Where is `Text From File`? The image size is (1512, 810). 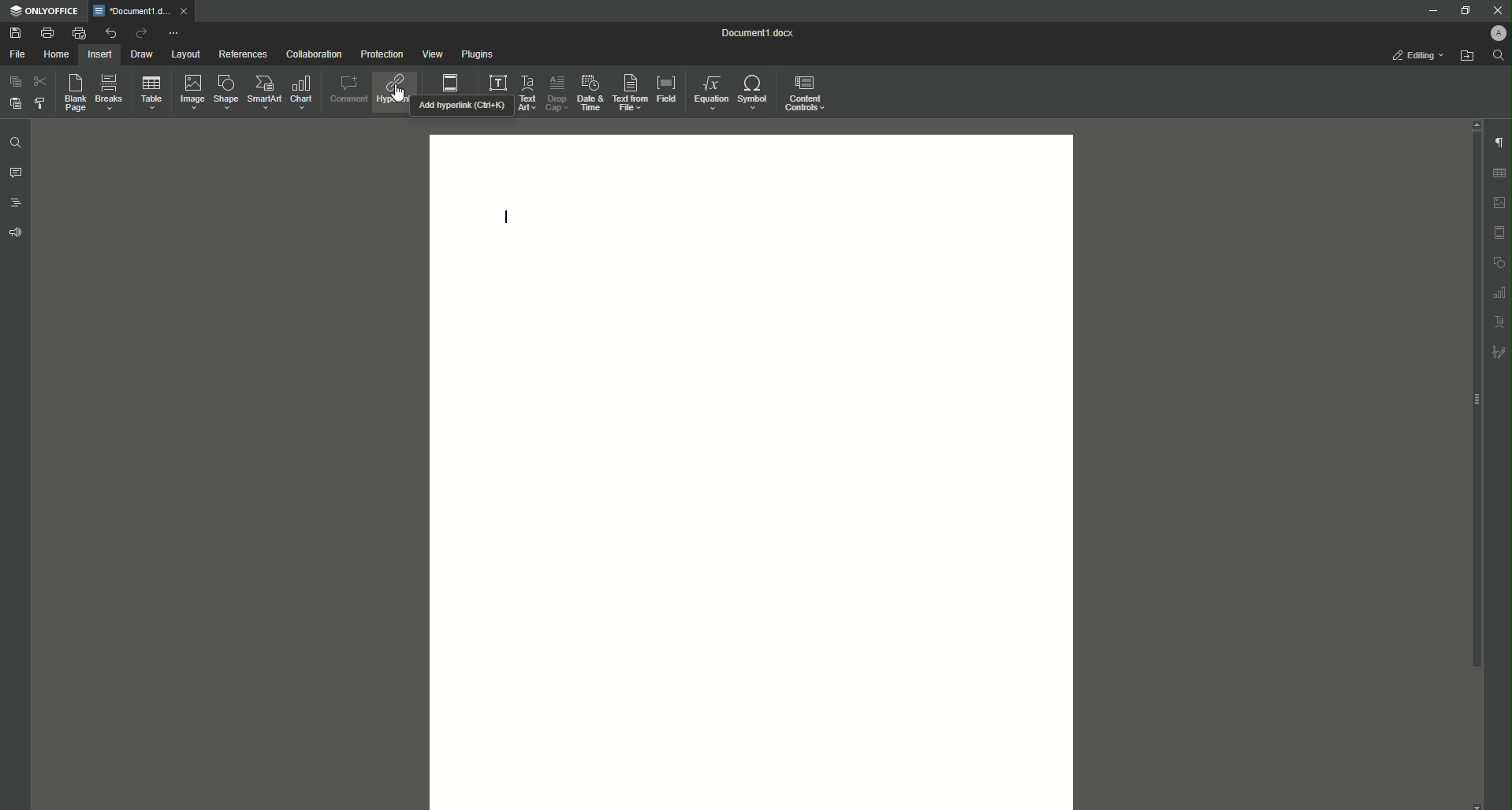 Text From File is located at coordinates (630, 91).